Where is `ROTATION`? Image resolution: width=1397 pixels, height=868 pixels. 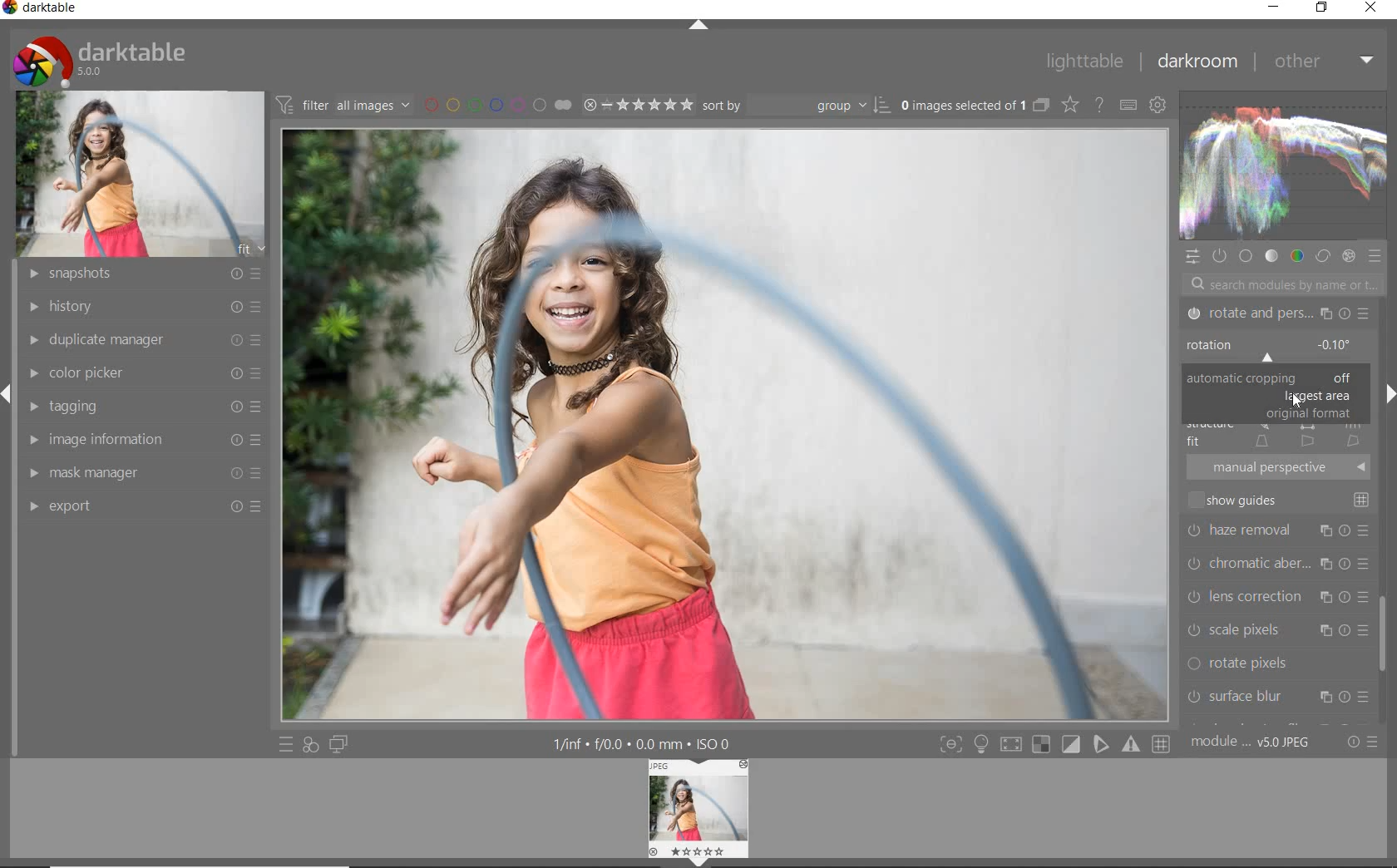 ROTATION is located at coordinates (1274, 350).